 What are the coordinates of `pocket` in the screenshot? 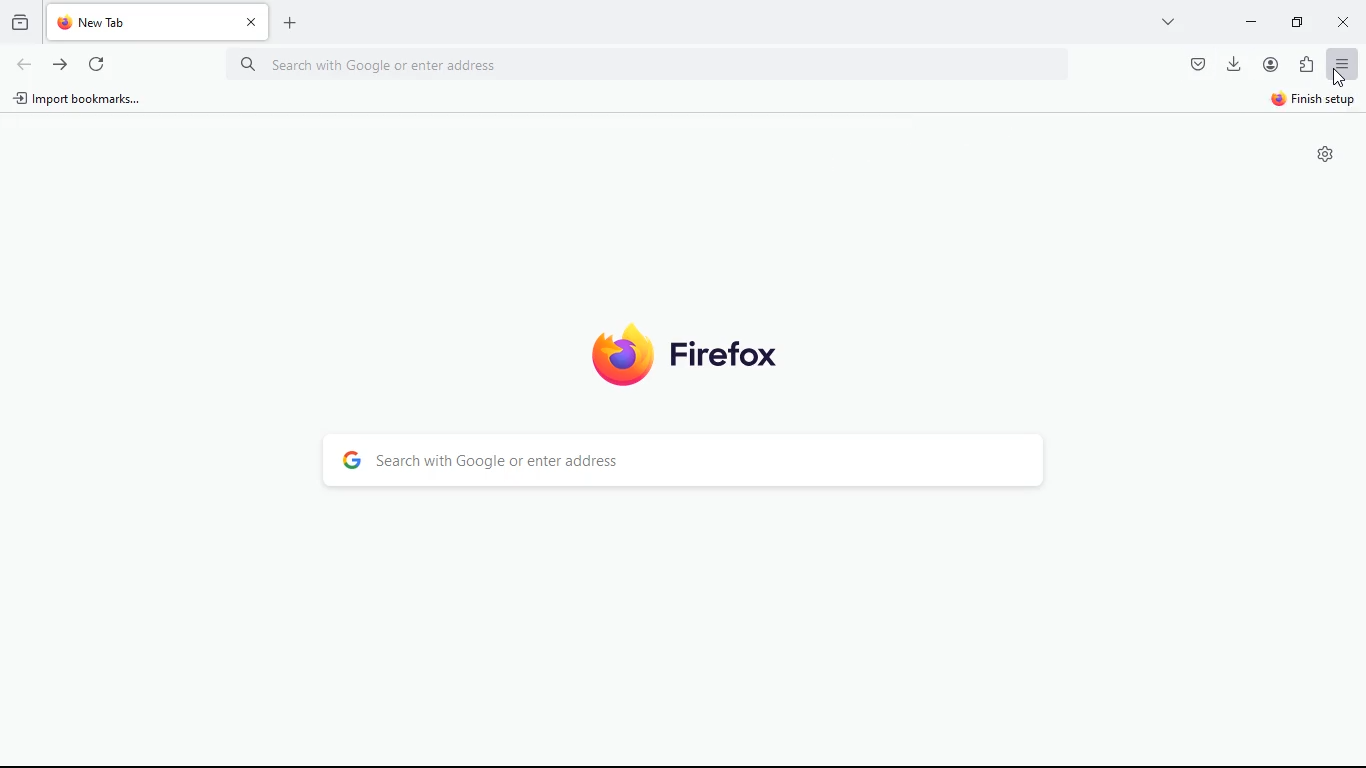 It's located at (1196, 63).